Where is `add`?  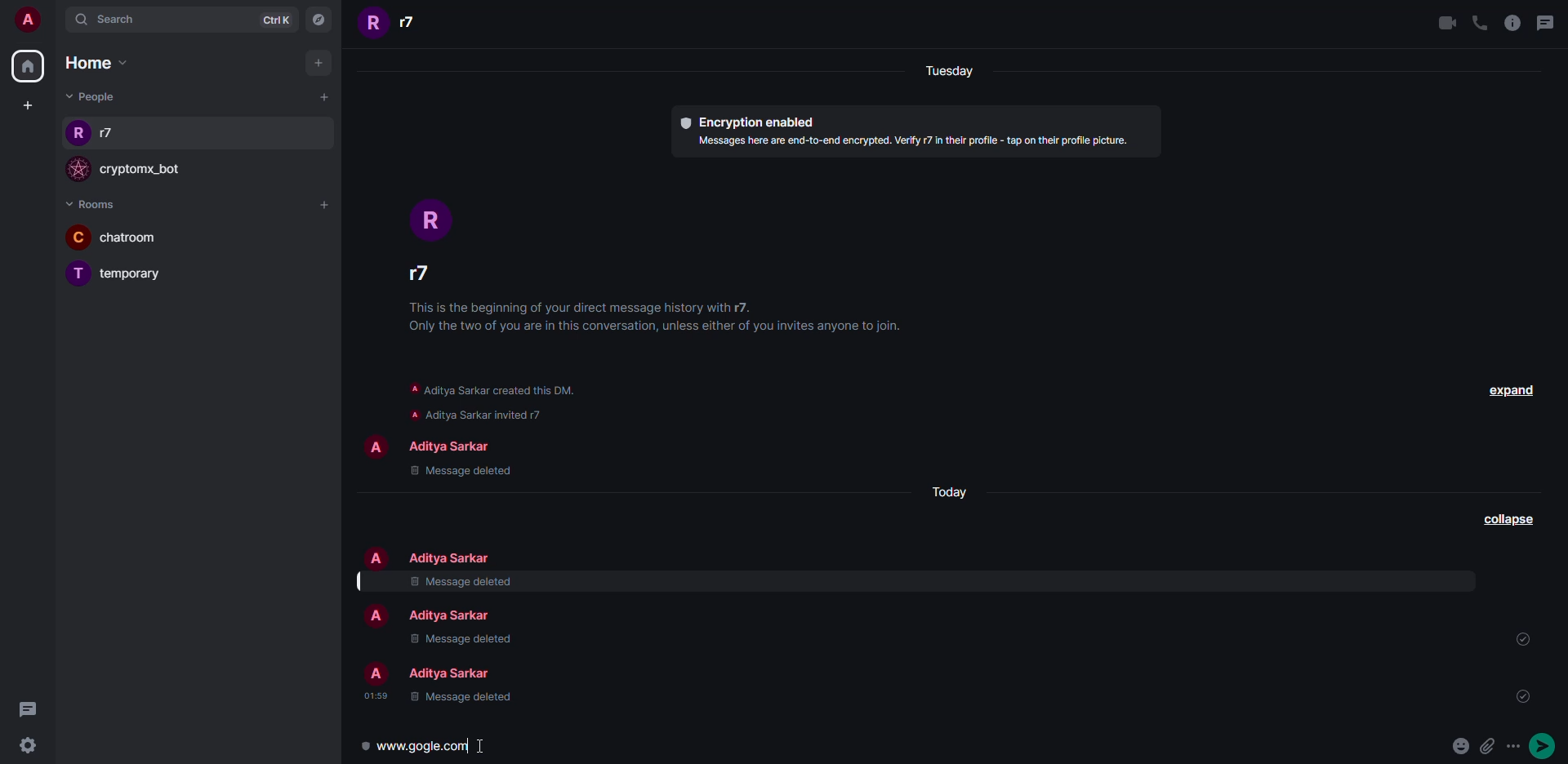 add is located at coordinates (326, 205).